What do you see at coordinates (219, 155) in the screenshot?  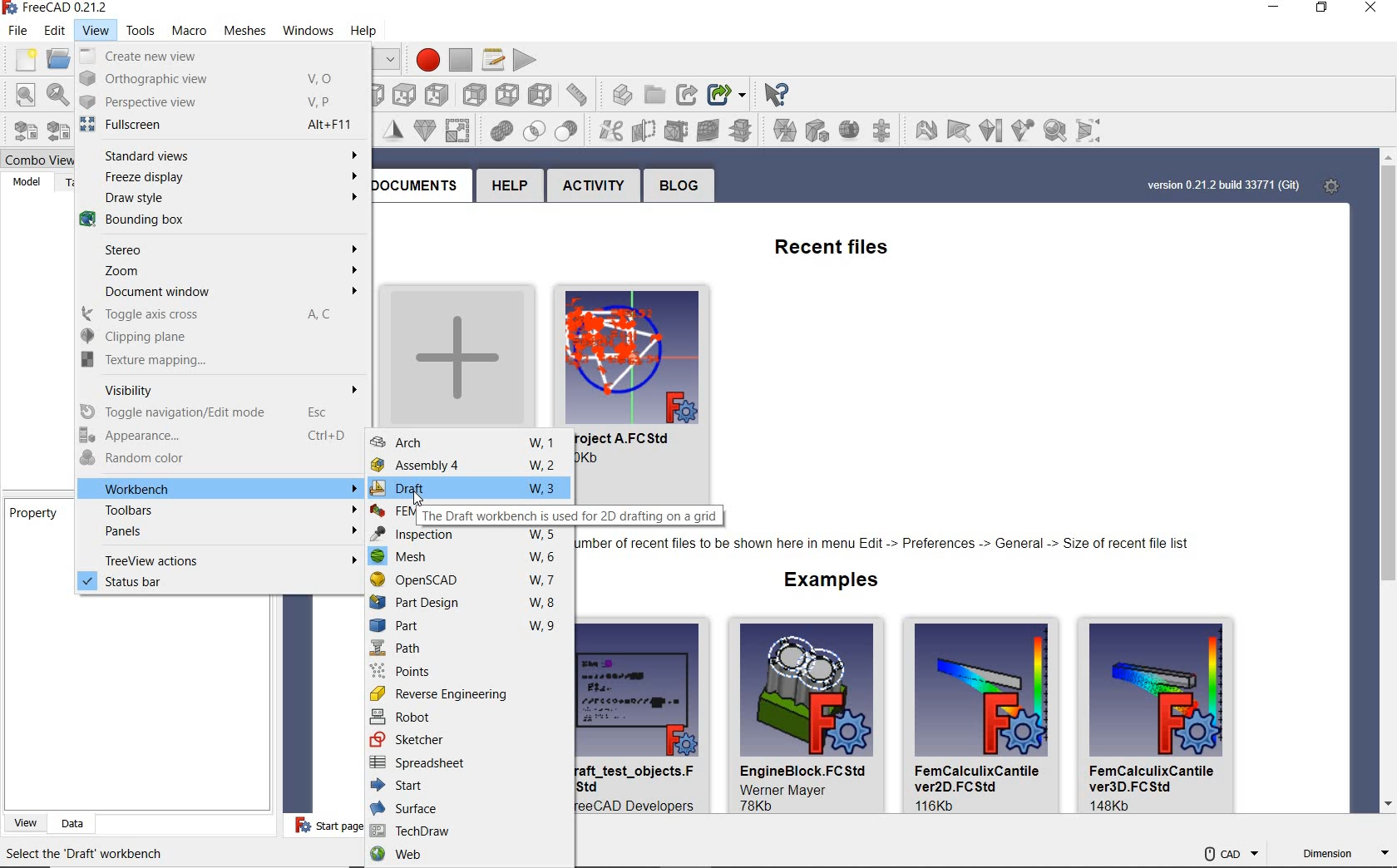 I see `standard views` at bounding box center [219, 155].